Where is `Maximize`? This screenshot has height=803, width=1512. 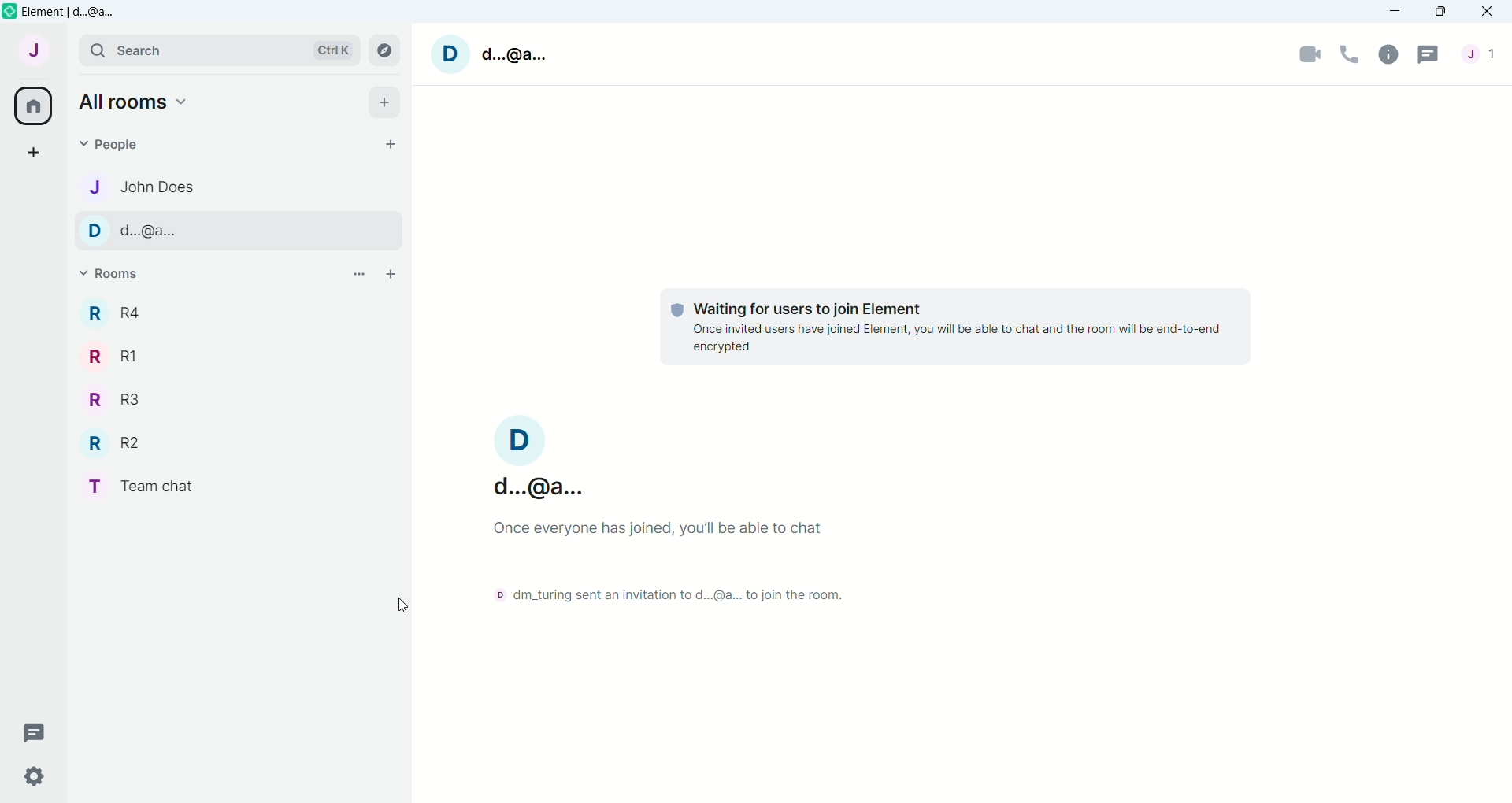
Maximize is located at coordinates (1440, 12).